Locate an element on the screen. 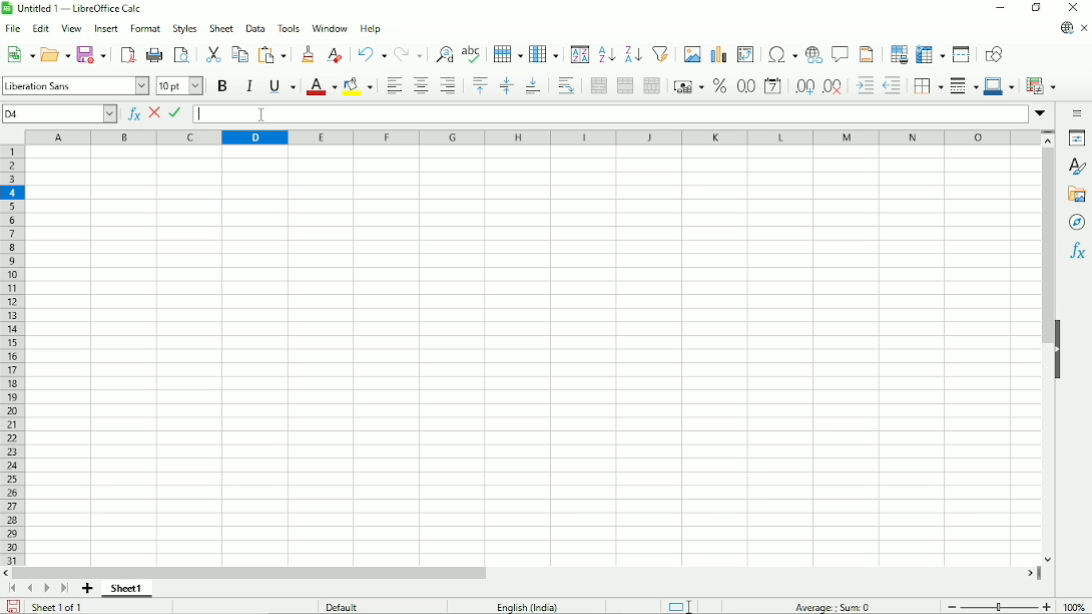  Align right is located at coordinates (449, 86).